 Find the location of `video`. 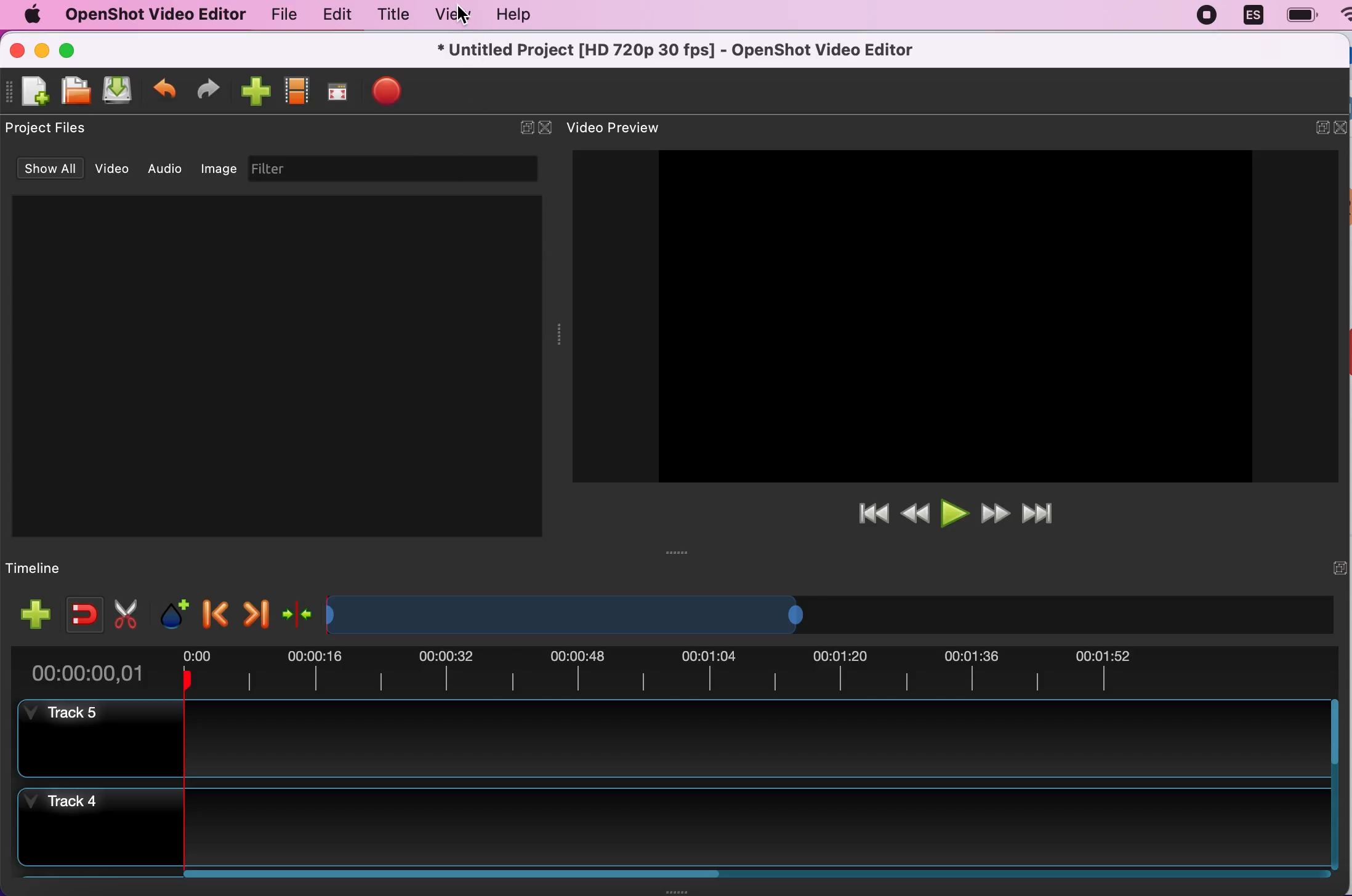

video is located at coordinates (113, 167).